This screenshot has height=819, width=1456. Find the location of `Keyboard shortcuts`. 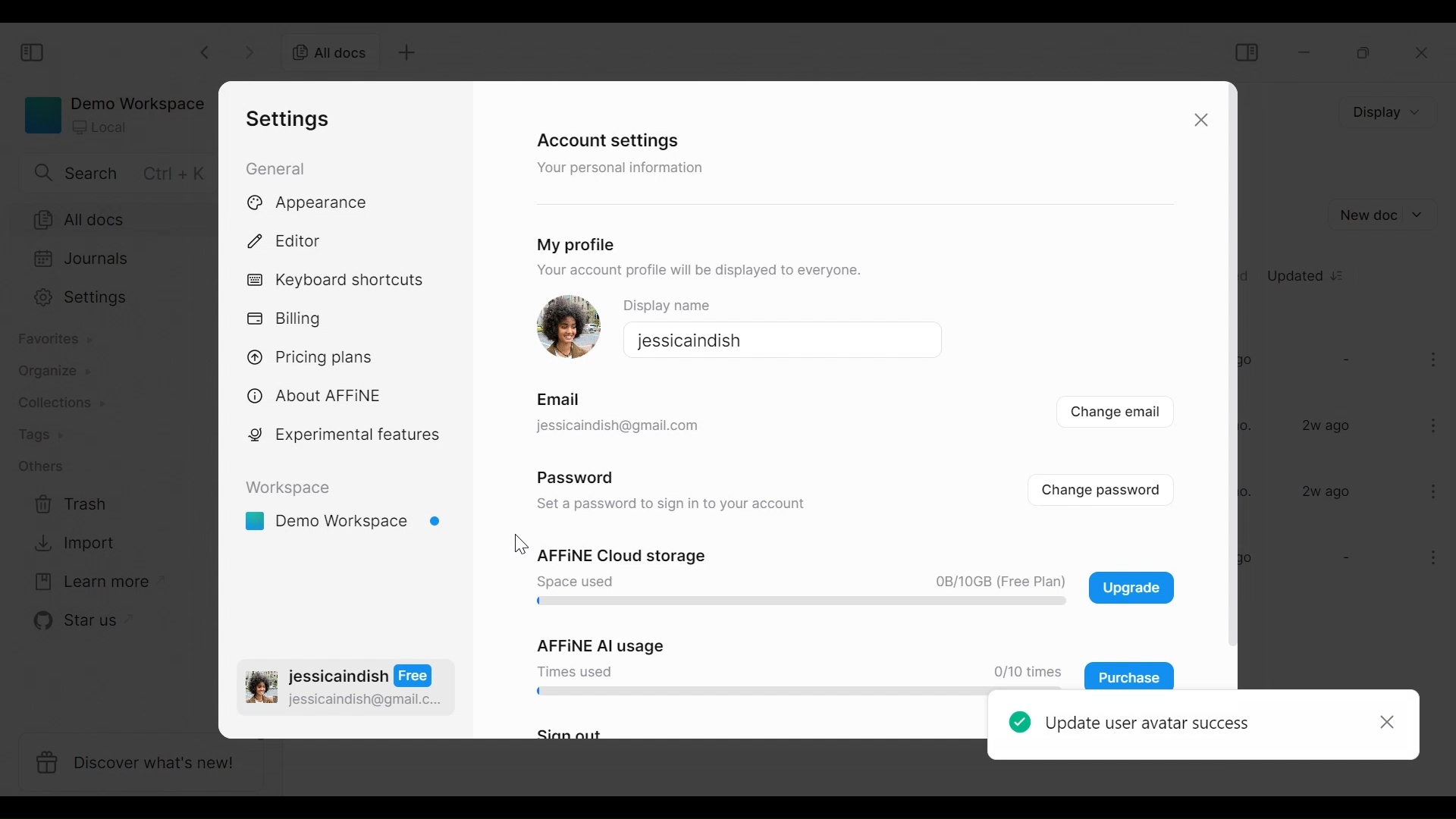

Keyboard shortcuts is located at coordinates (336, 281).